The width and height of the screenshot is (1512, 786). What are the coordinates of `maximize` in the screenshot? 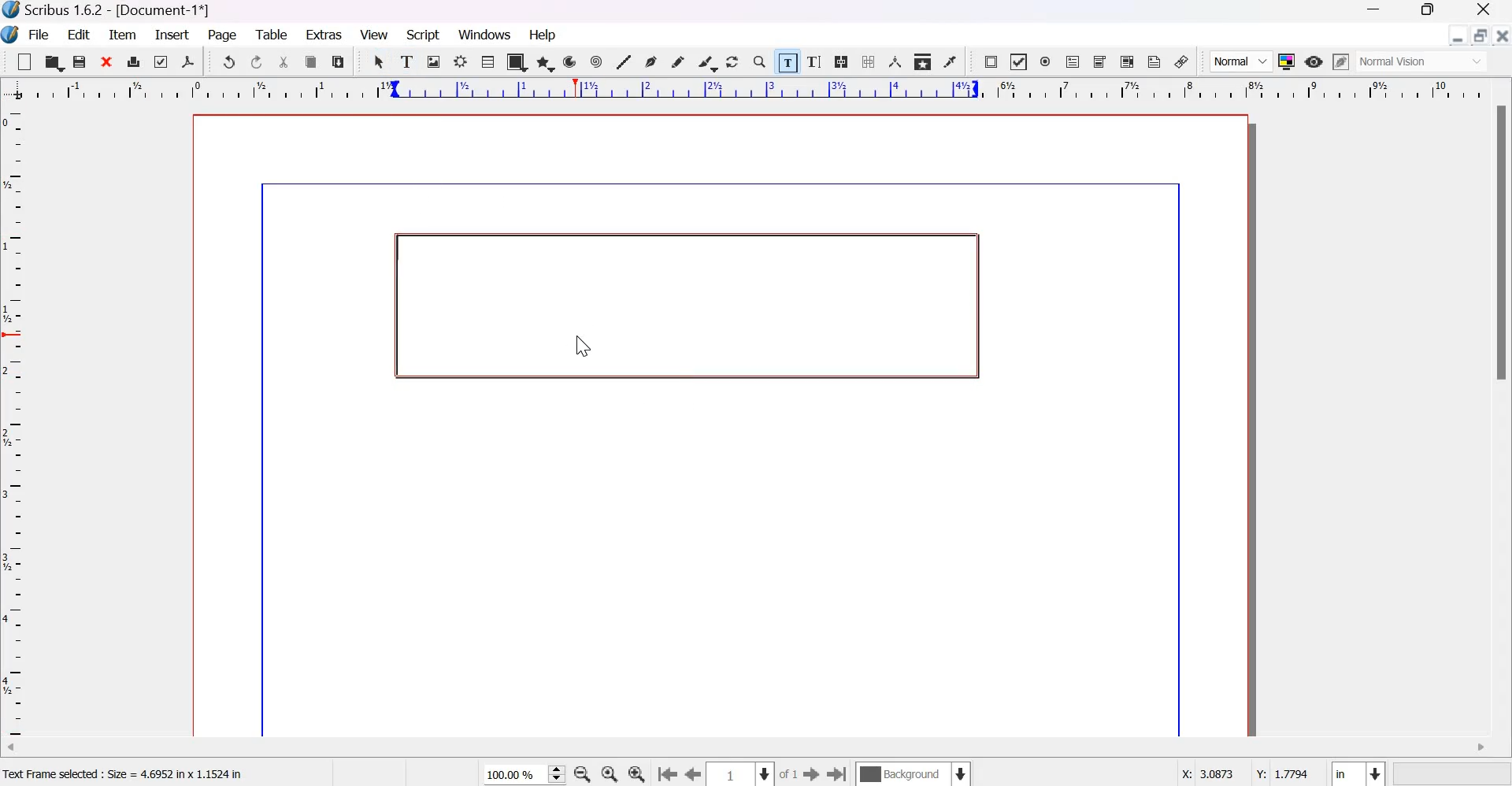 It's located at (1480, 35).